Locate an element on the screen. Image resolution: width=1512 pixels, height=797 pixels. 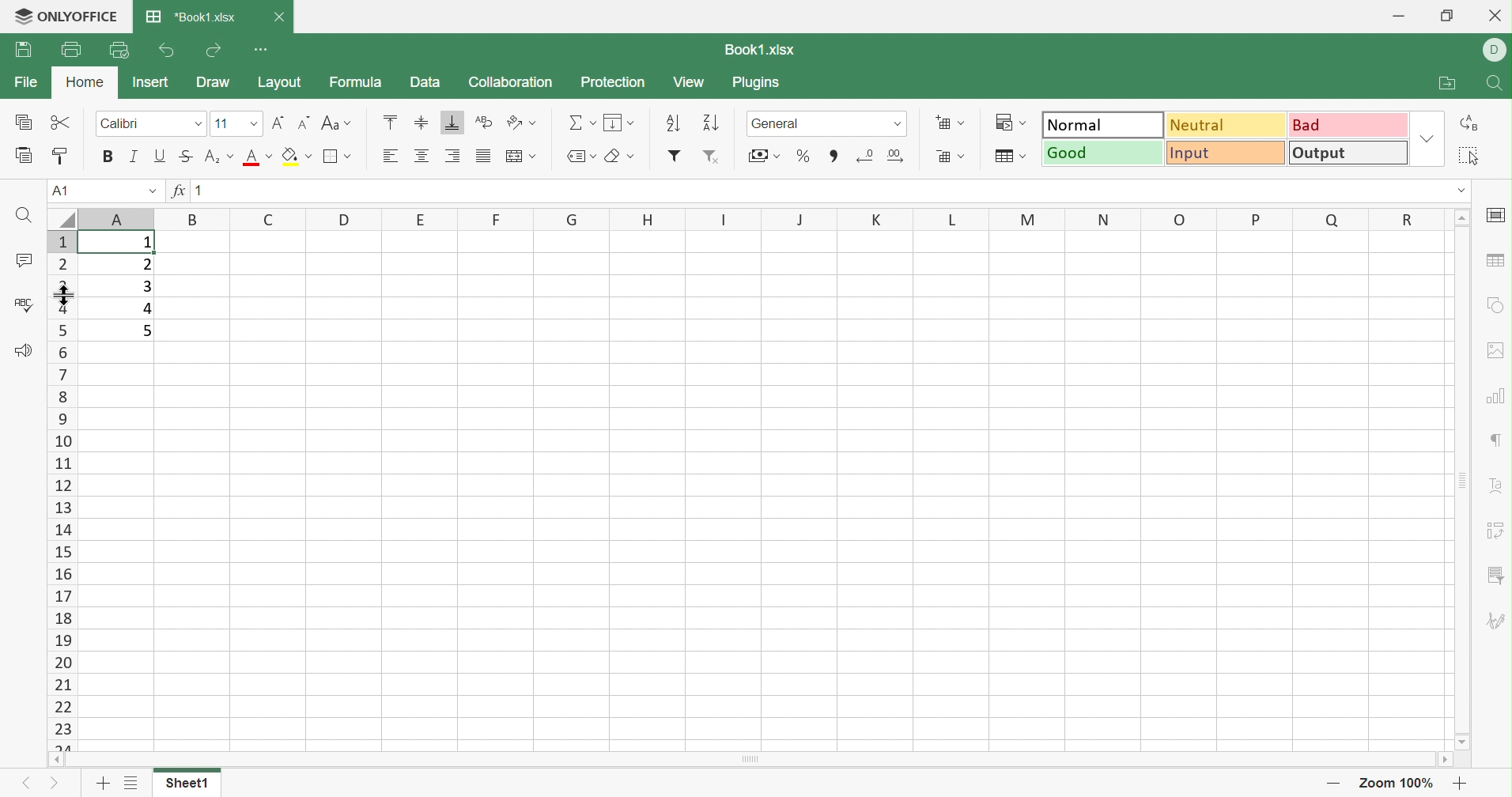
Drop Down is located at coordinates (631, 155).